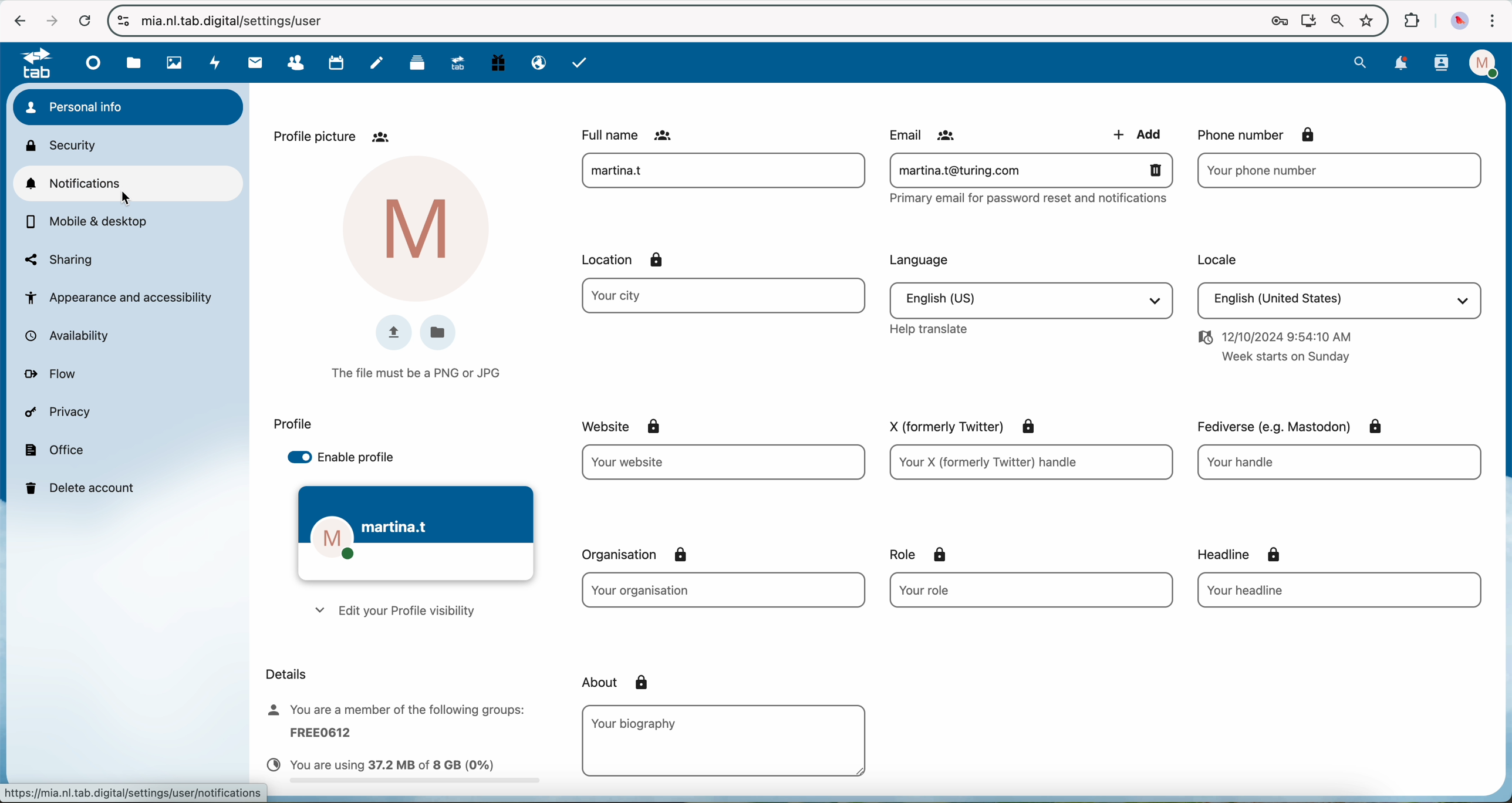  What do you see at coordinates (1338, 299) in the screenshot?
I see `locale language` at bounding box center [1338, 299].